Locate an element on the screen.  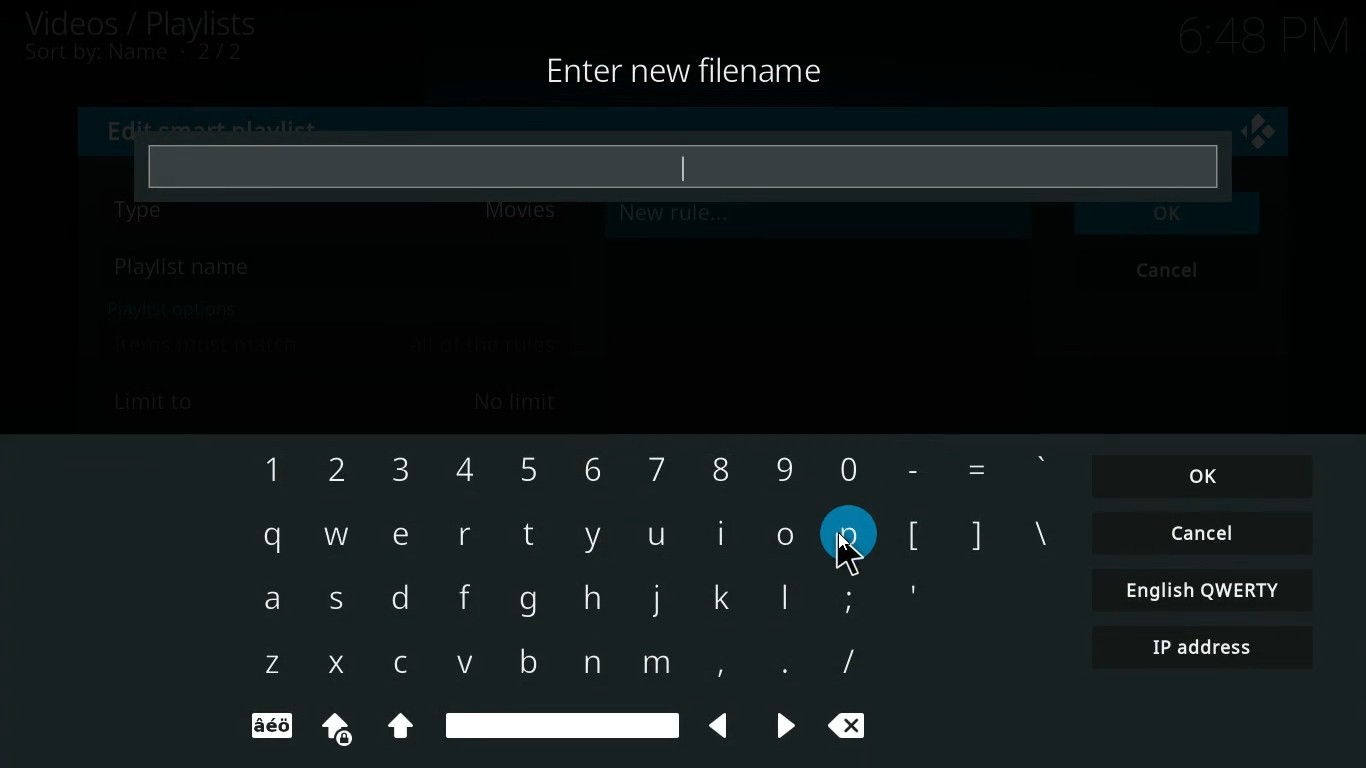
0 is located at coordinates (845, 465).